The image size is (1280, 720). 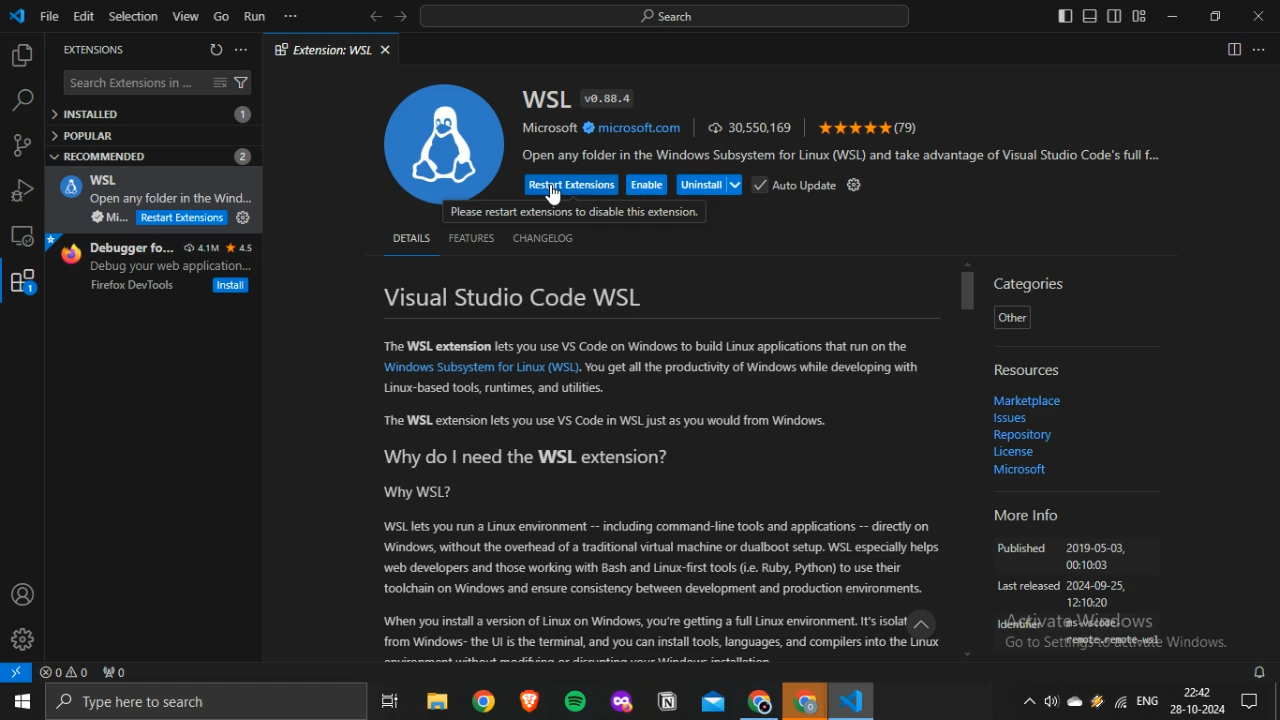 I want to click on VScode, so click(x=850, y=700).